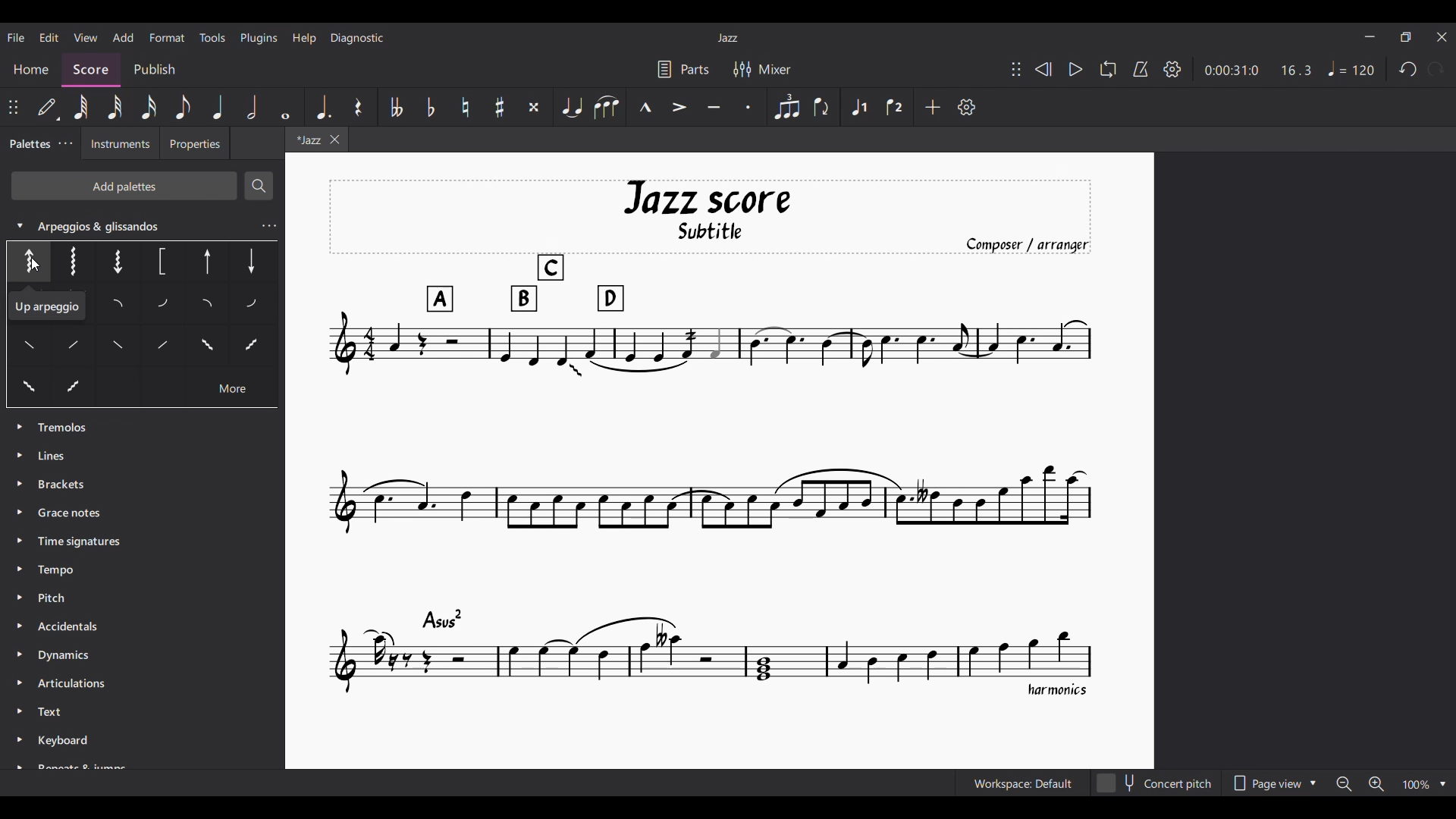 This screenshot has width=1456, height=819. I want to click on Palette options, so click(67, 424).